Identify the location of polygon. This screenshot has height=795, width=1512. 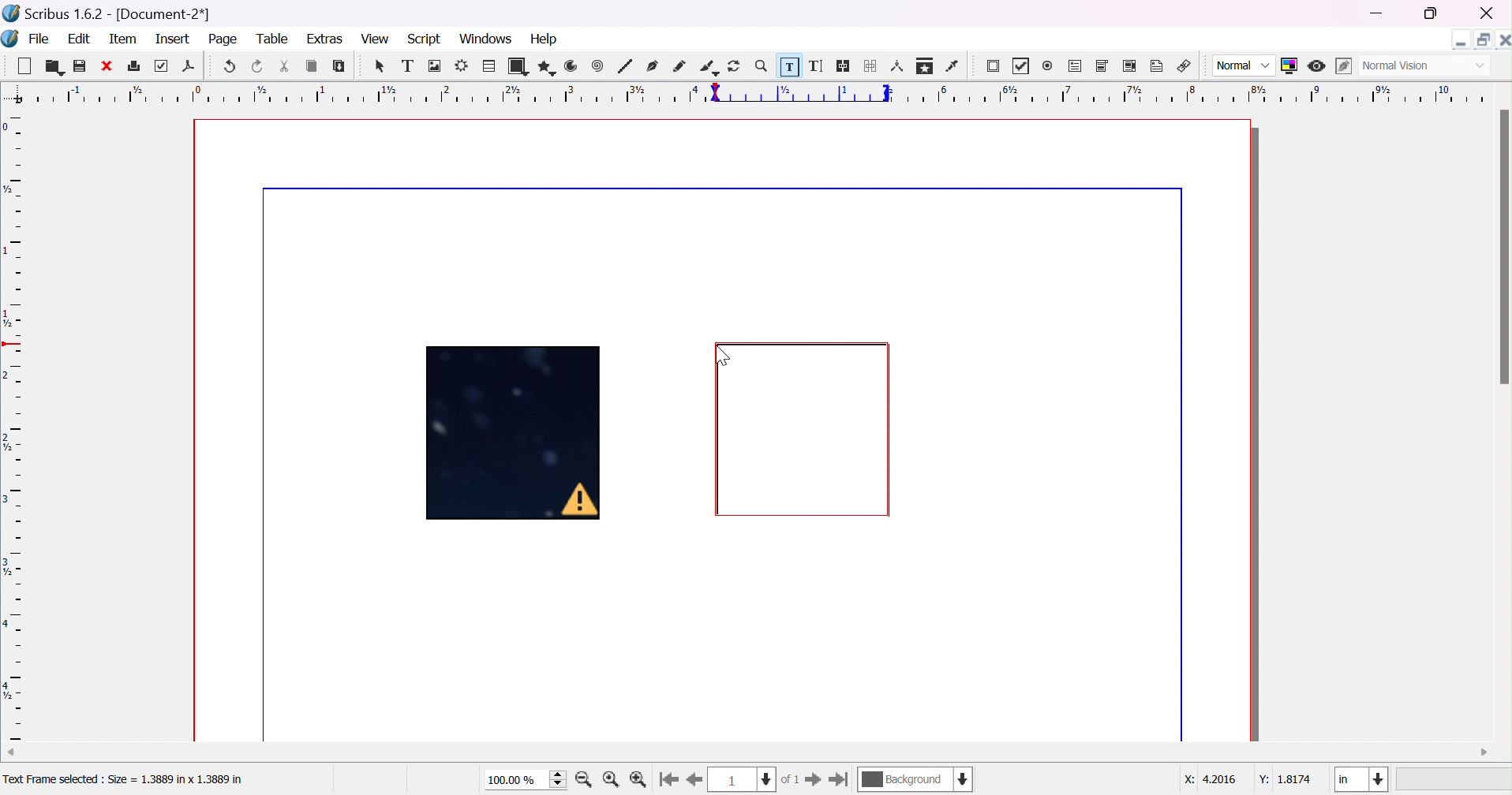
(545, 66).